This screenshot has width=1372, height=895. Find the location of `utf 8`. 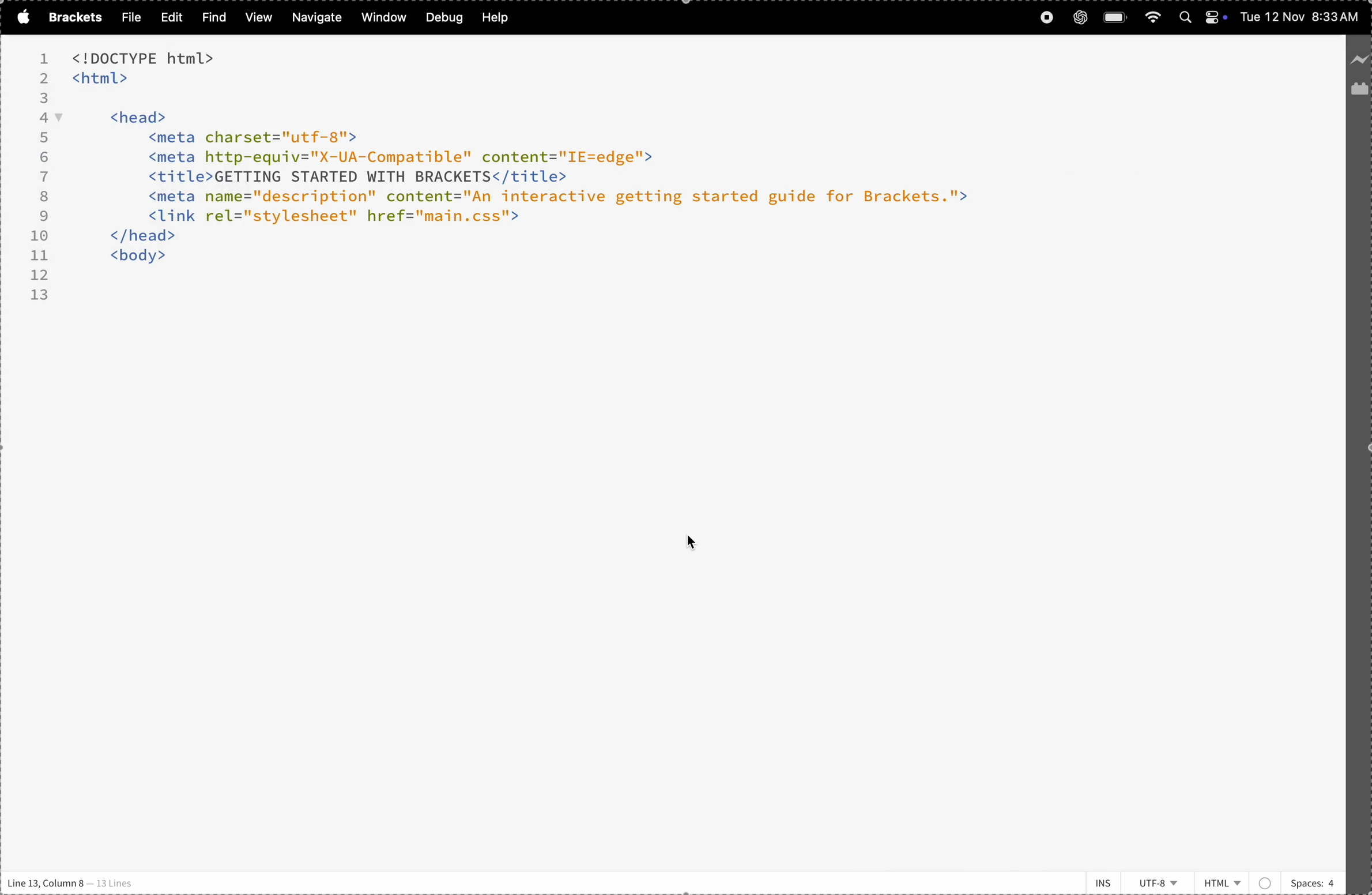

utf 8 is located at coordinates (1160, 883).